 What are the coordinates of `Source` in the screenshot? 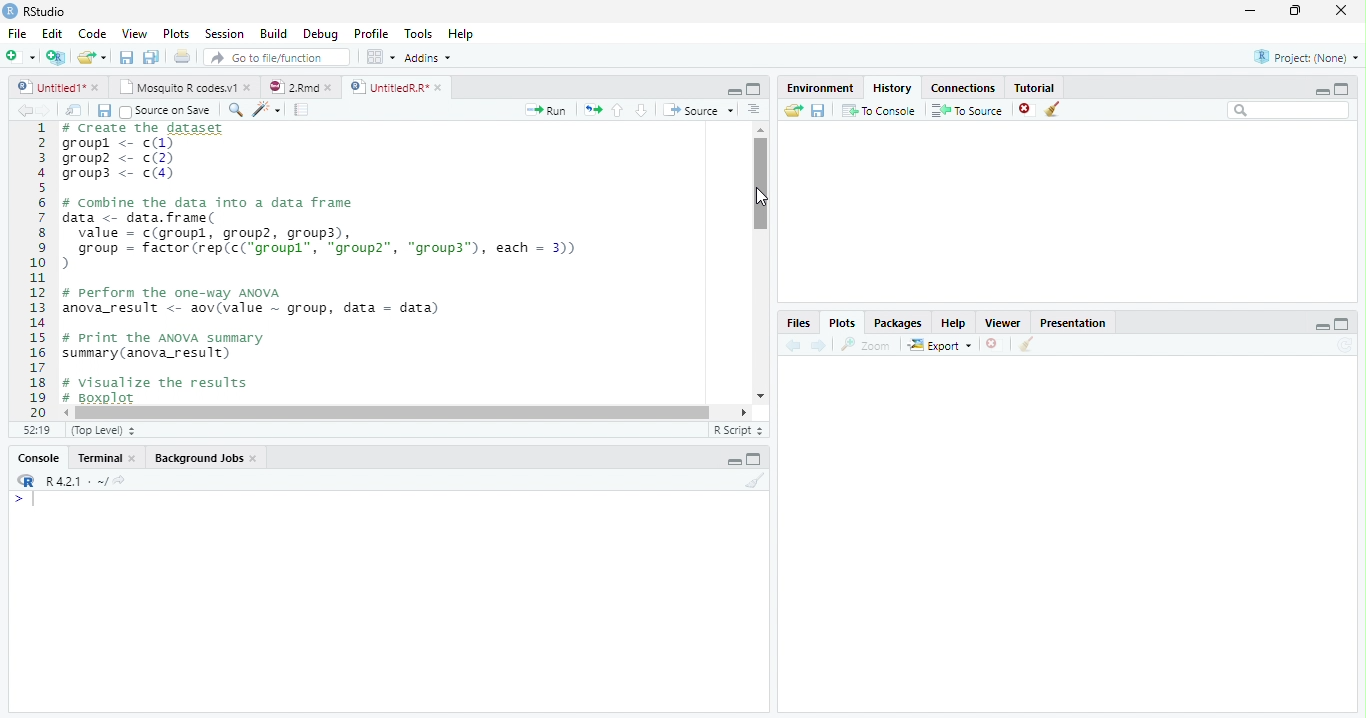 It's located at (700, 111).